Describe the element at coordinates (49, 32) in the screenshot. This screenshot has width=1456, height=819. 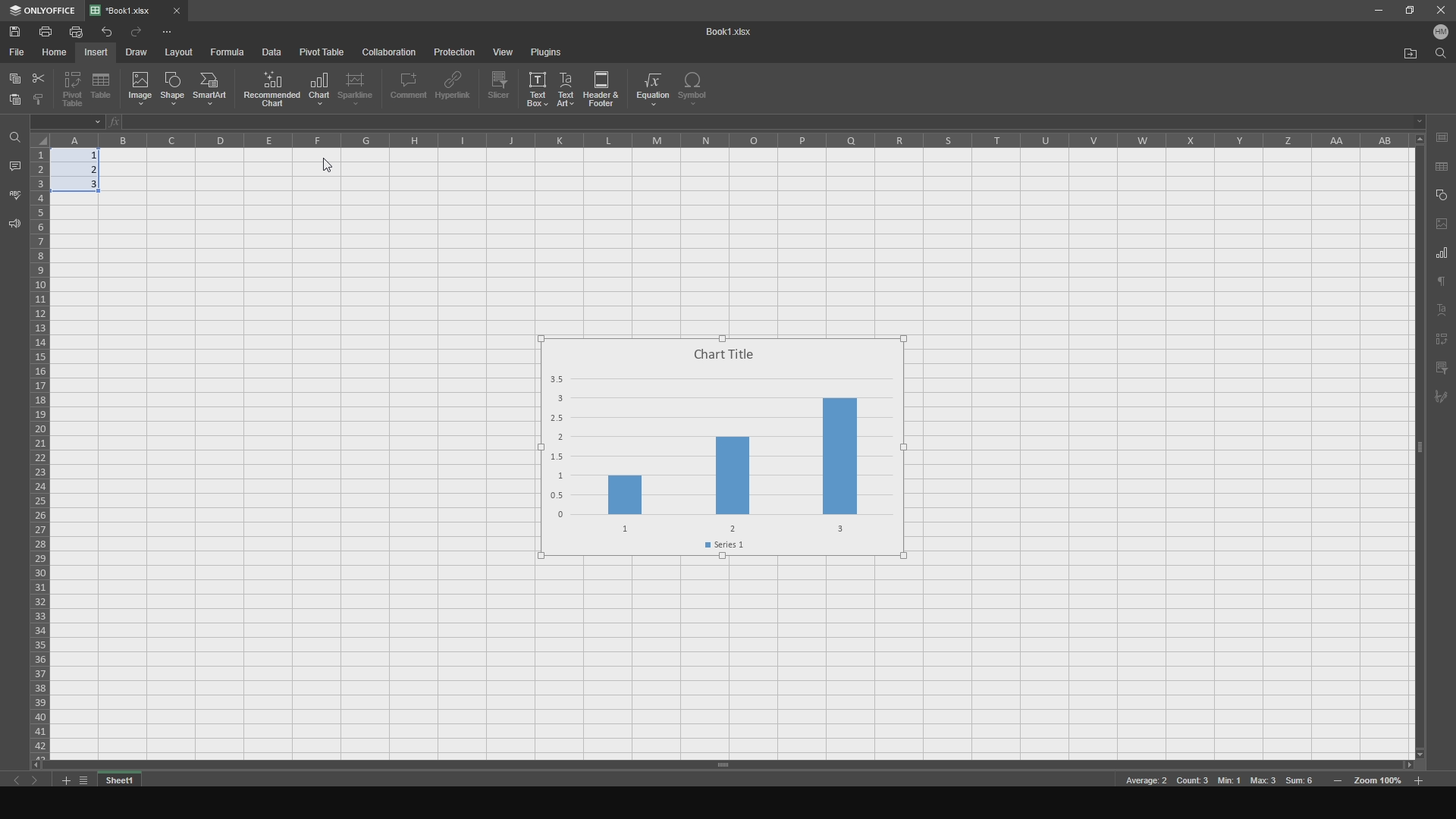
I see `print` at that location.